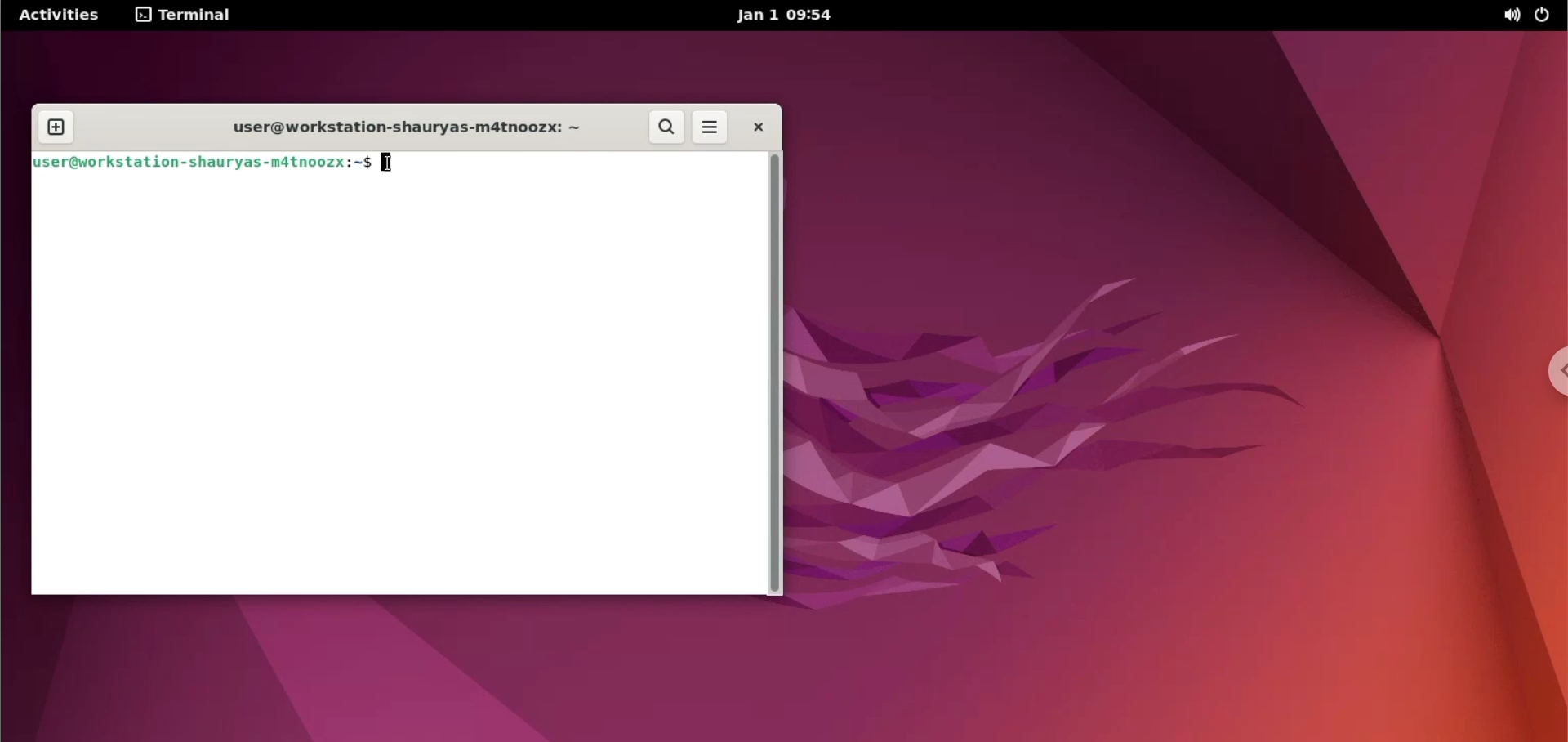 The height and width of the screenshot is (742, 1568). Describe the element at coordinates (663, 127) in the screenshot. I see `search` at that location.